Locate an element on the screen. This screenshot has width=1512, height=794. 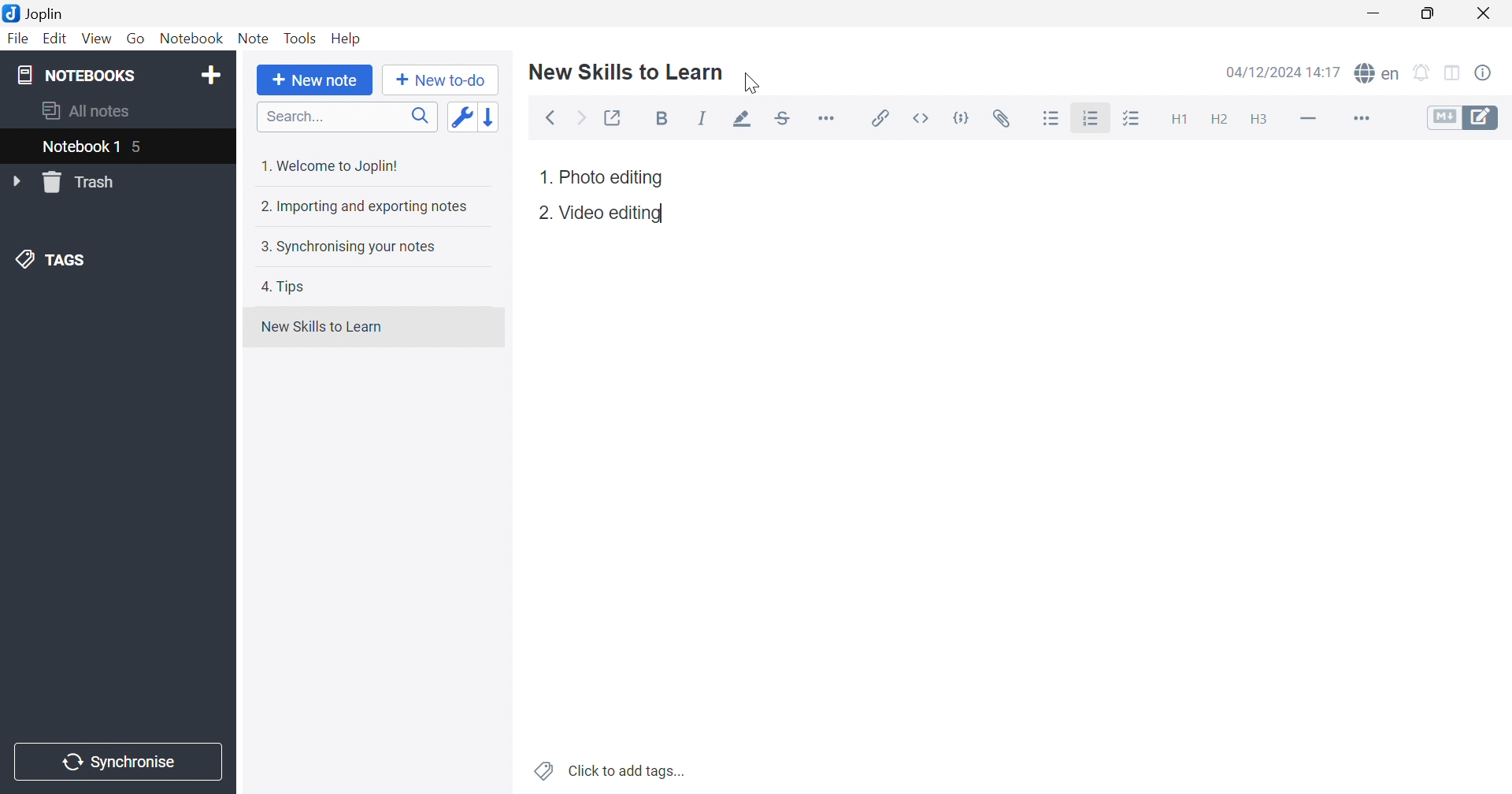
5 is located at coordinates (139, 149).